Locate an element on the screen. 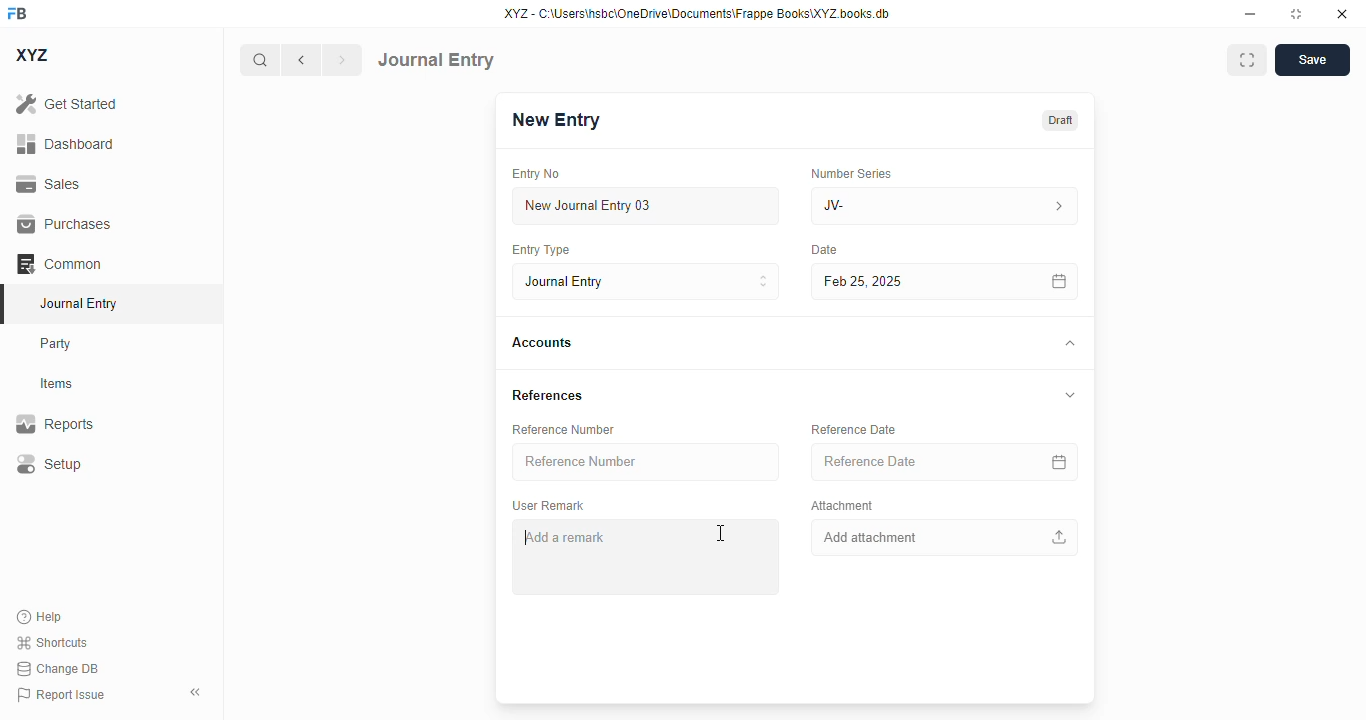 The image size is (1366, 720). reference data is located at coordinates (854, 429).